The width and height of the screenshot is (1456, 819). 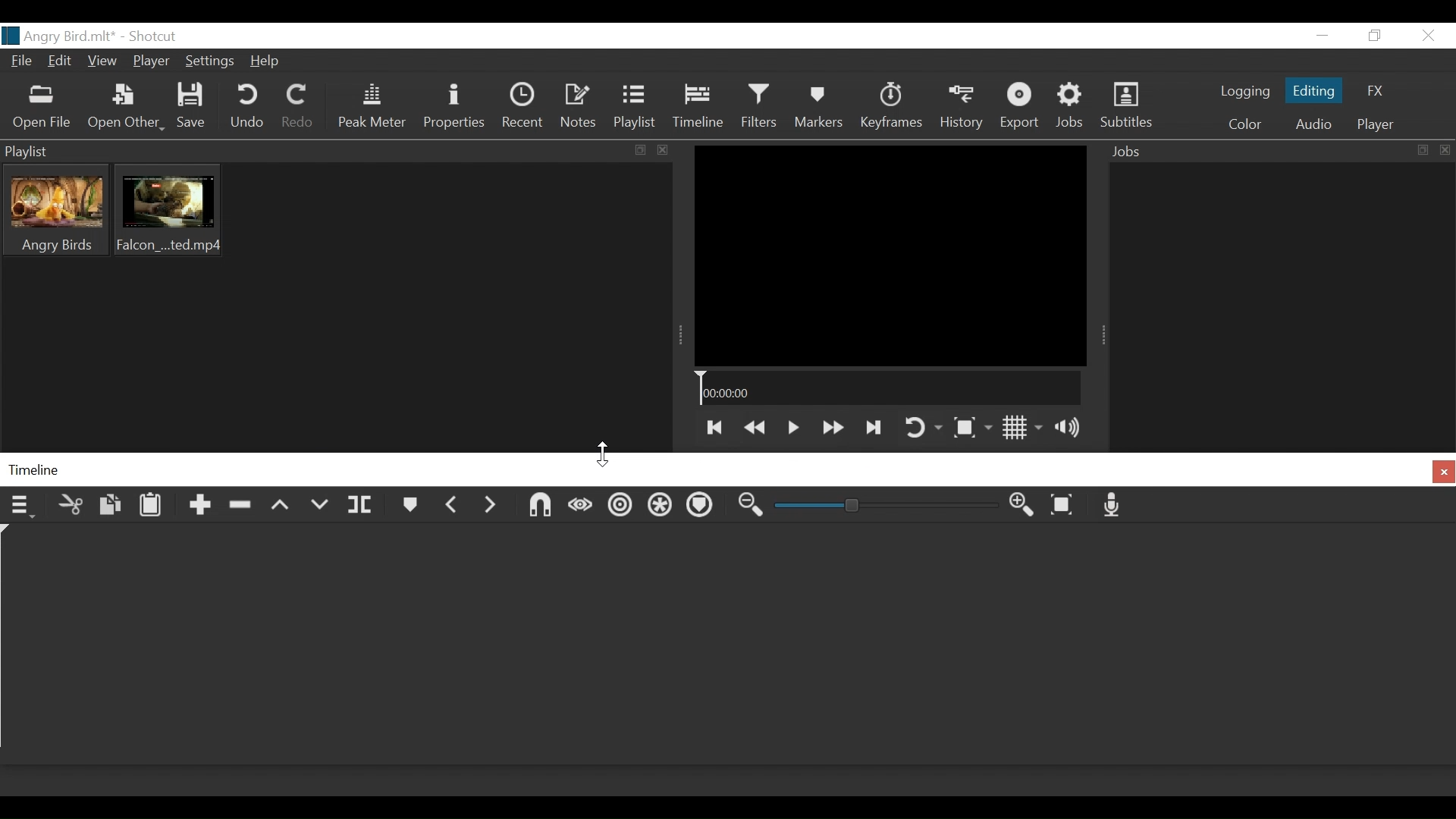 I want to click on Skip to te previous point, so click(x=713, y=428).